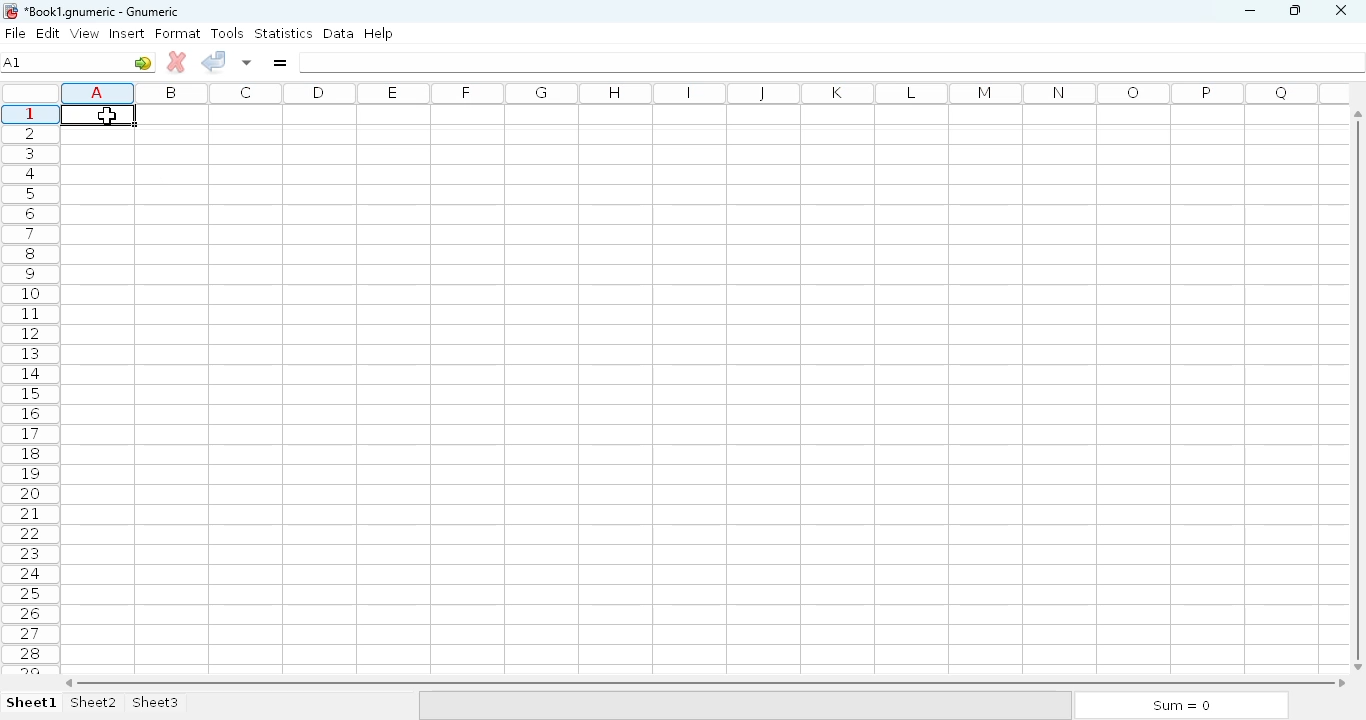 Image resolution: width=1366 pixels, height=720 pixels. I want to click on edit, so click(49, 33).